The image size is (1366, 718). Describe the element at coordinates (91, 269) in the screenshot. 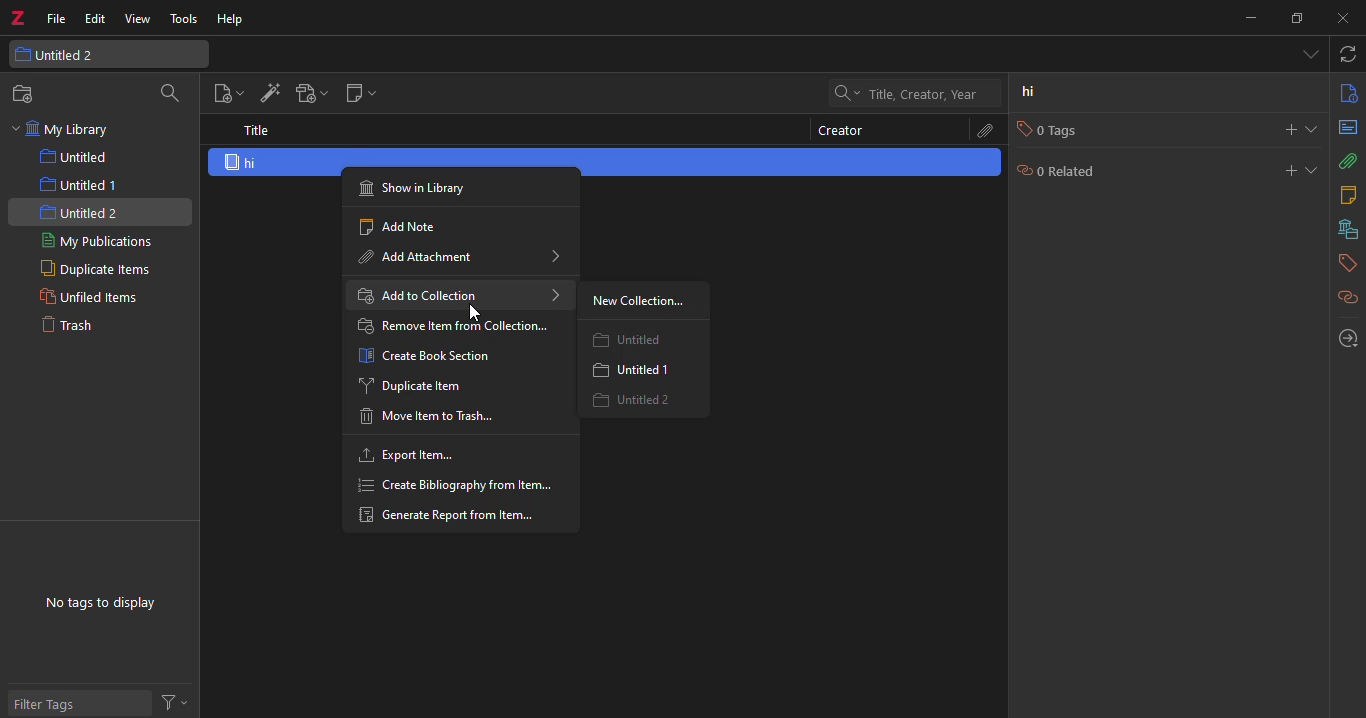

I see `duplicate items` at that location.